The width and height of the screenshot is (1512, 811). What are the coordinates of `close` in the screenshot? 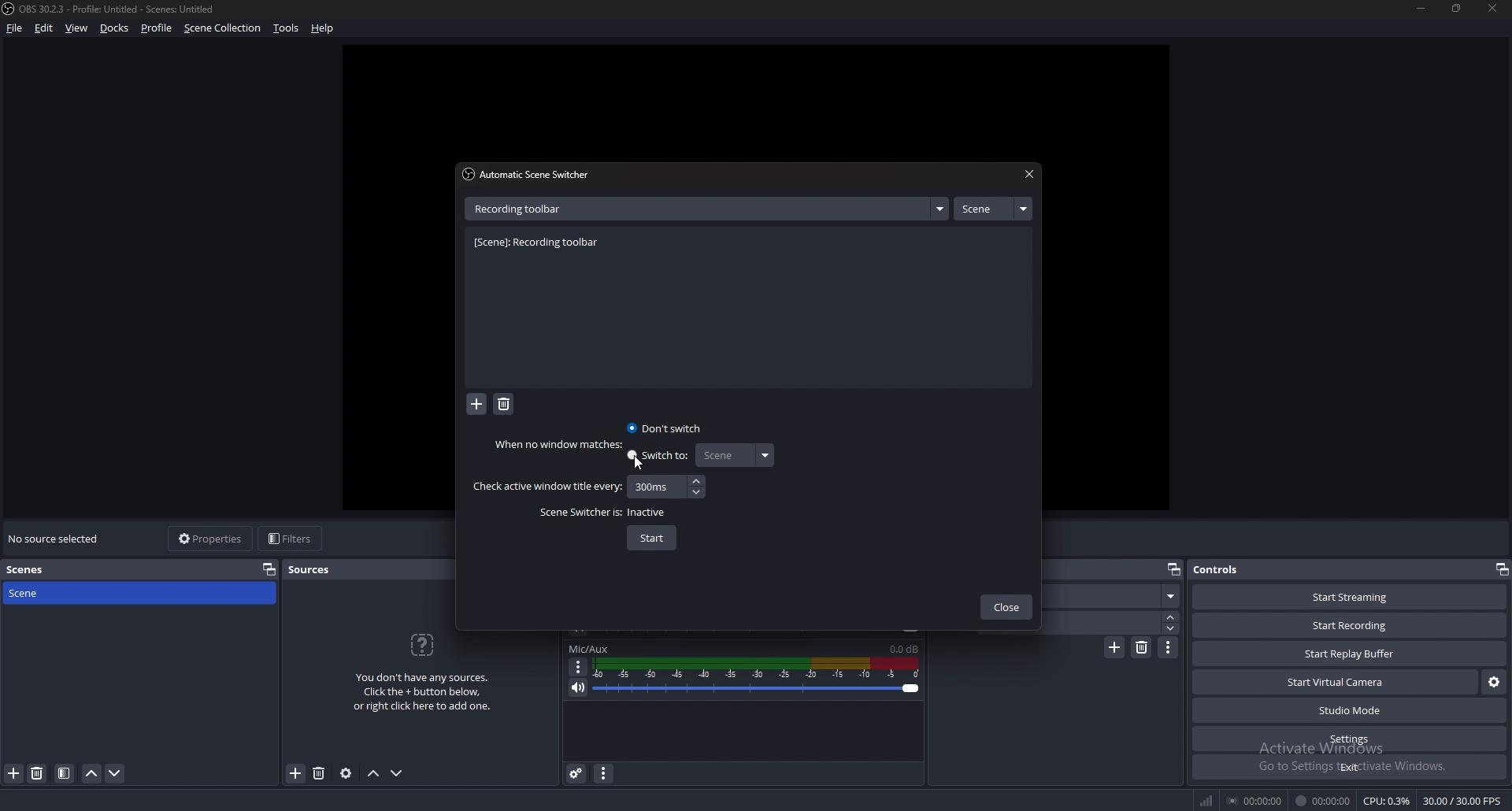 It's located at (1027, 175).